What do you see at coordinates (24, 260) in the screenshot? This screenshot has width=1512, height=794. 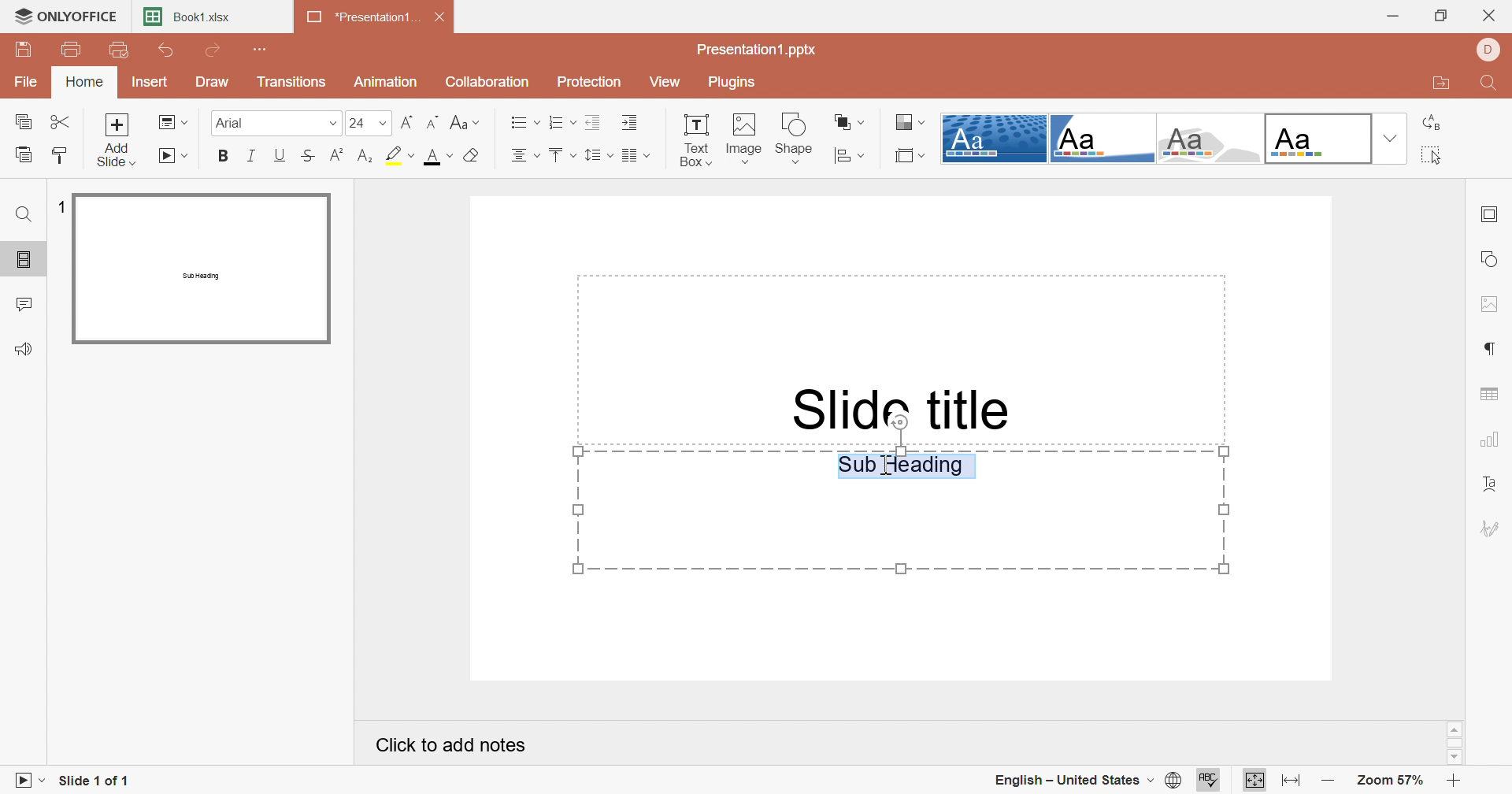 I see `Slides` at bounding box center [24, 260].